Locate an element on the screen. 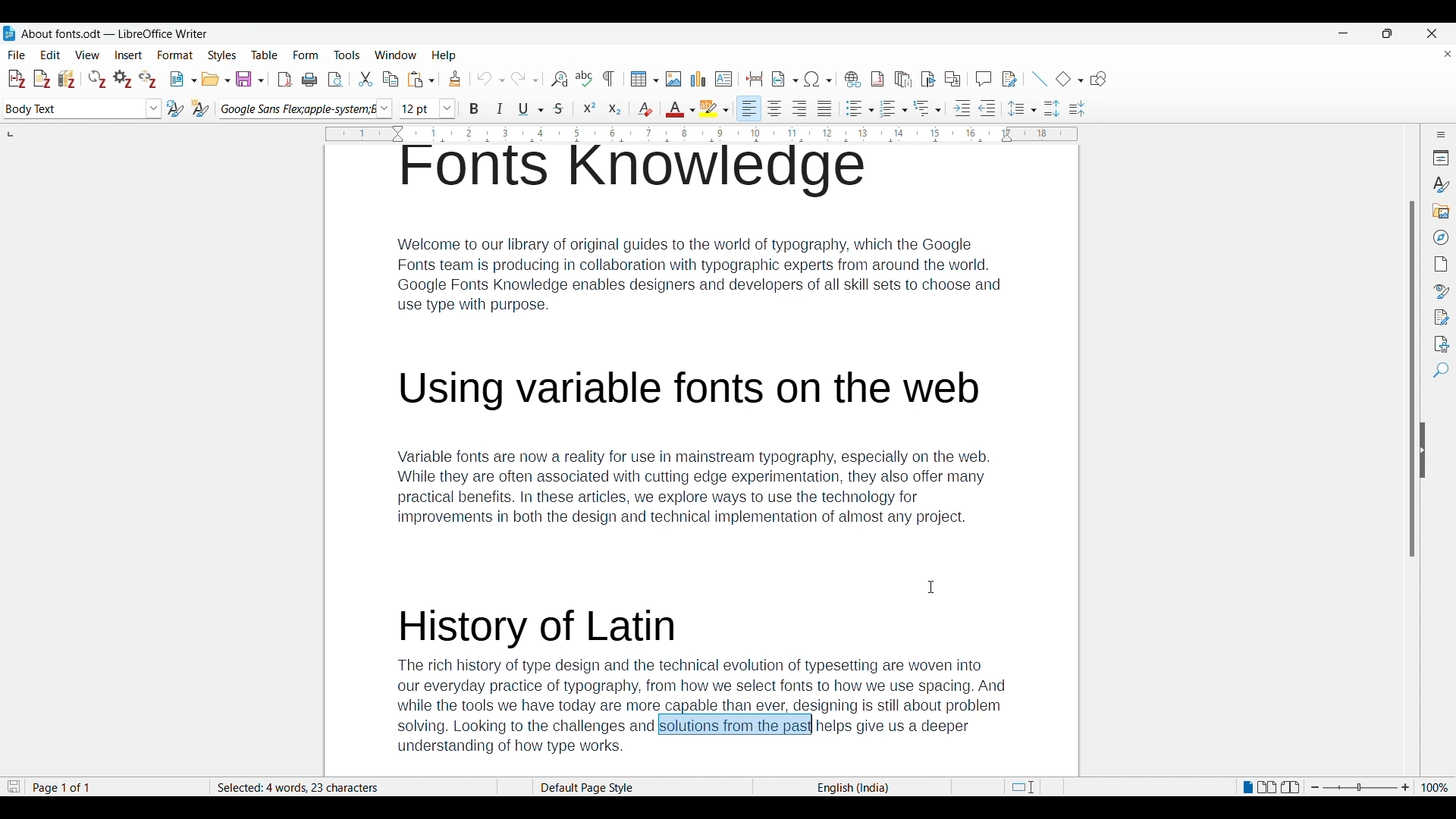 The image size is (1456, 819). Align justified is located at coordinates (825, 108).